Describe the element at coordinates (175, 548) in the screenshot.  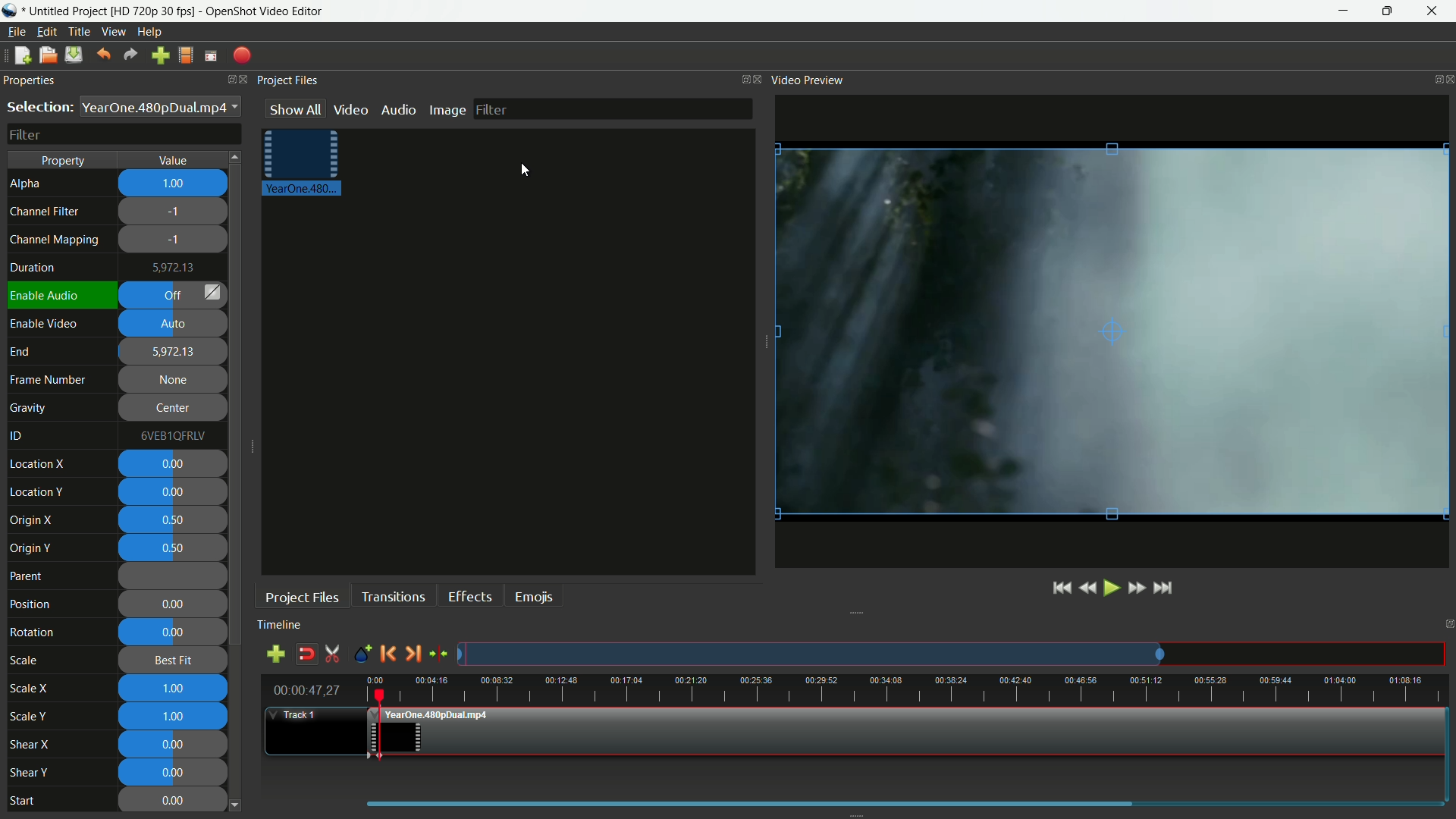
I see `0.50` at that location.